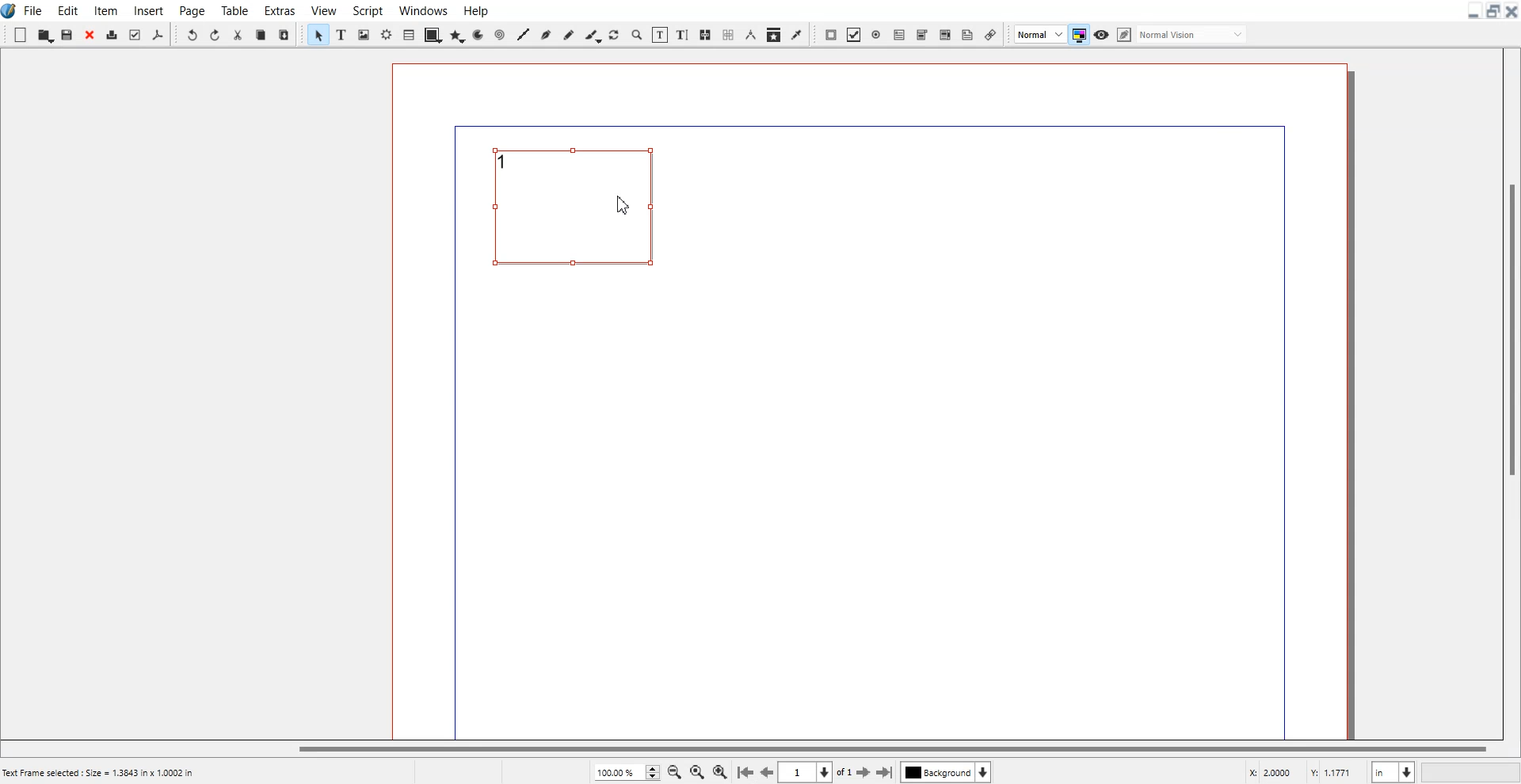 Image resolution: width=1521 pixels, height=784 pixels. What do you see at coordinates (768, 772) in the screenshot?
I see `Go to the preview mode` at bounding box center [768, 772].